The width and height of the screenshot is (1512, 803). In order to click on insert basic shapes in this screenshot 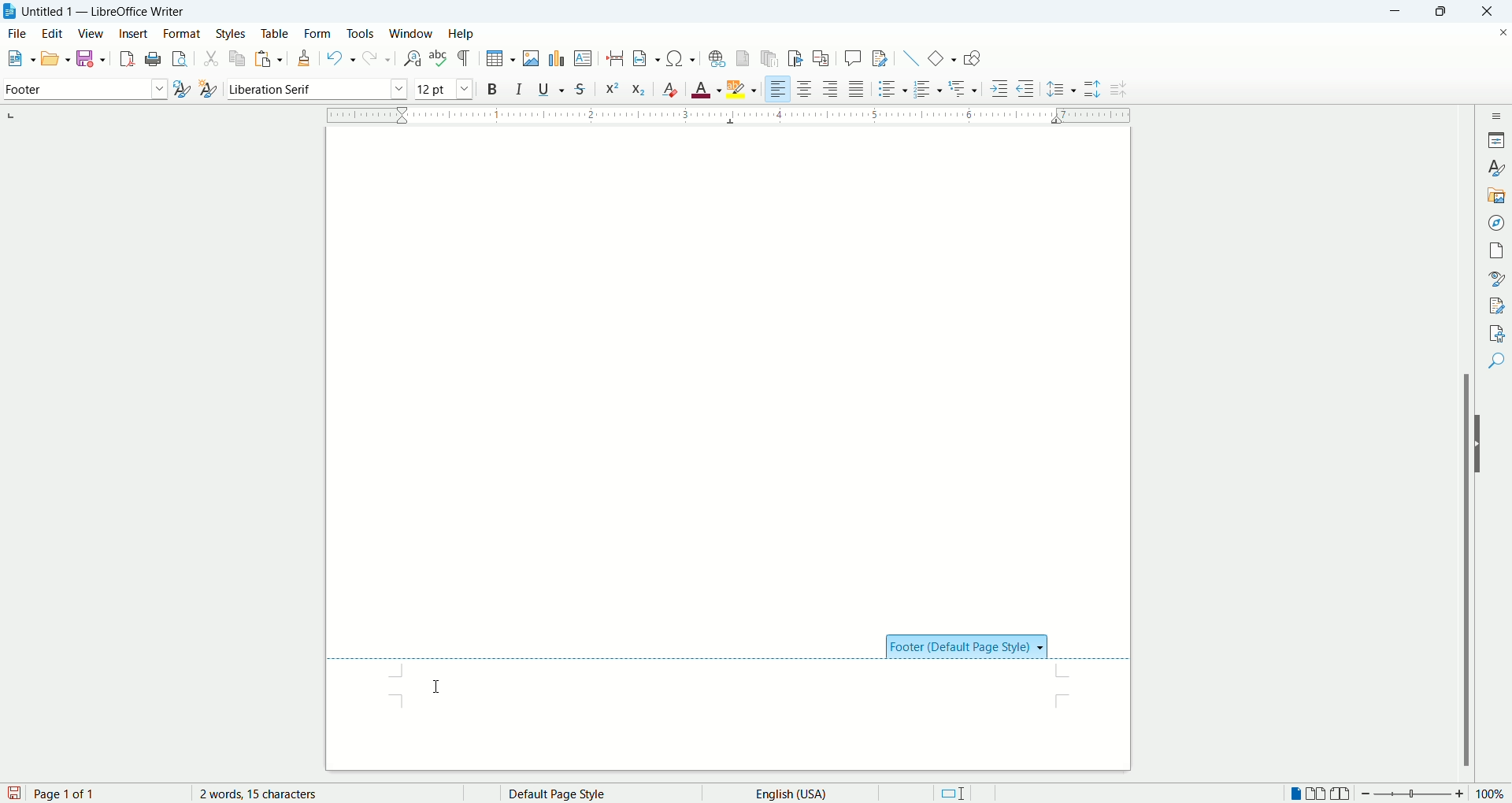, I will do `click(943, 57)`.